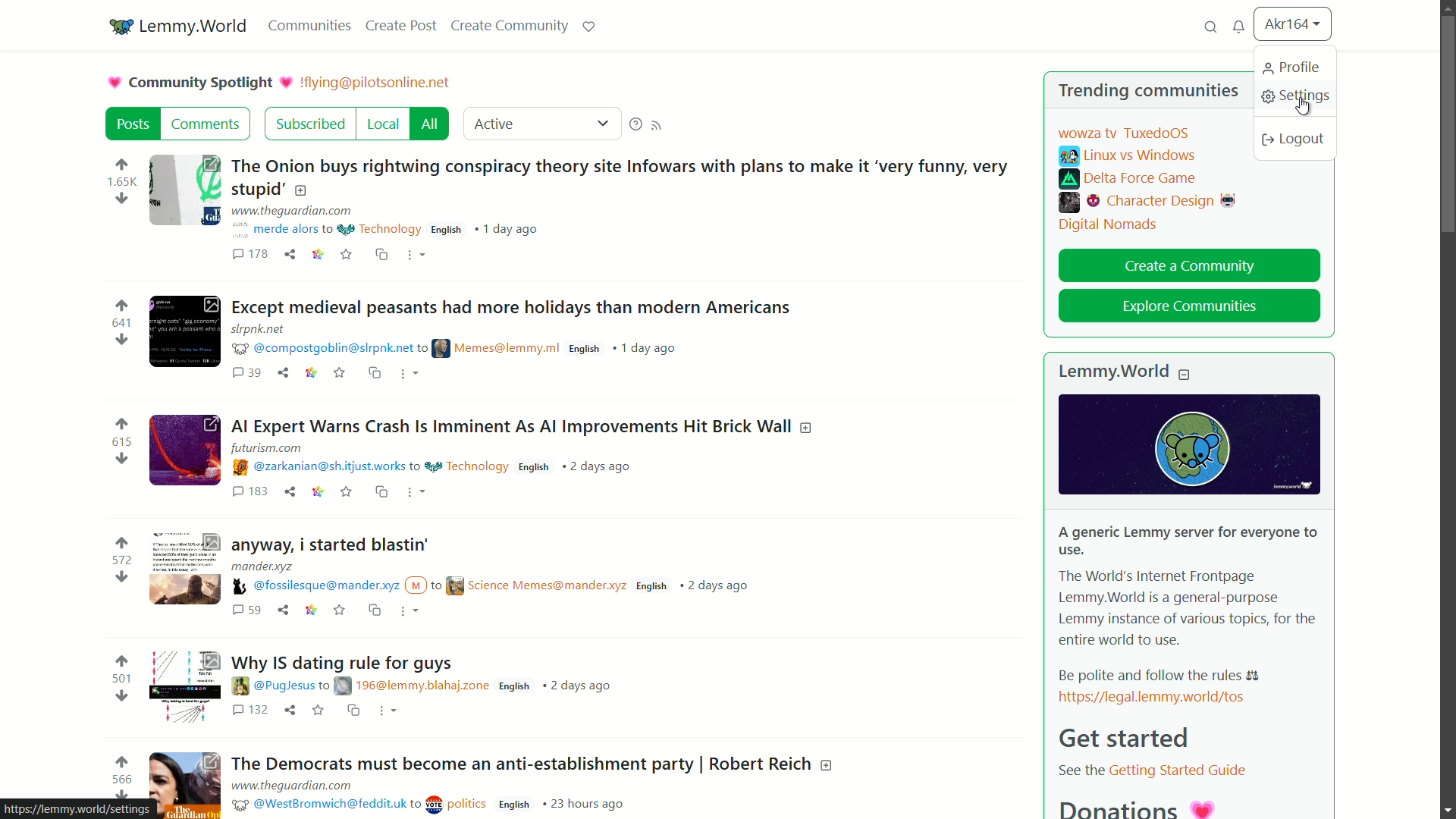 The height and width of the screenshot is (819, 1456). Describe the element at coordinates (410, 610) in the screenshot. I see `more` at that location.